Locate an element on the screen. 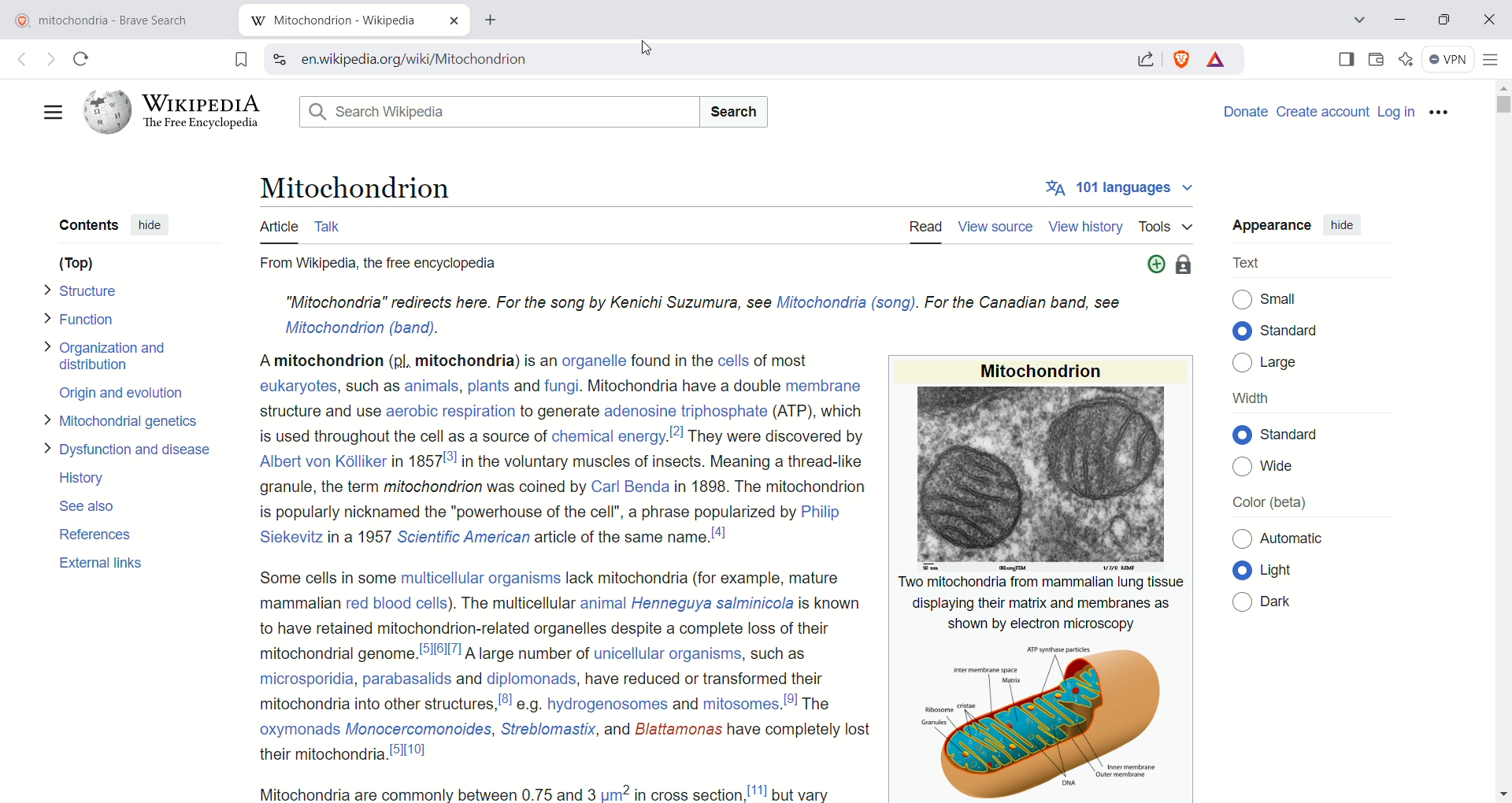 The width and height of the screenshot is (1512, 803). > Function is located at coordinates (82, 320).